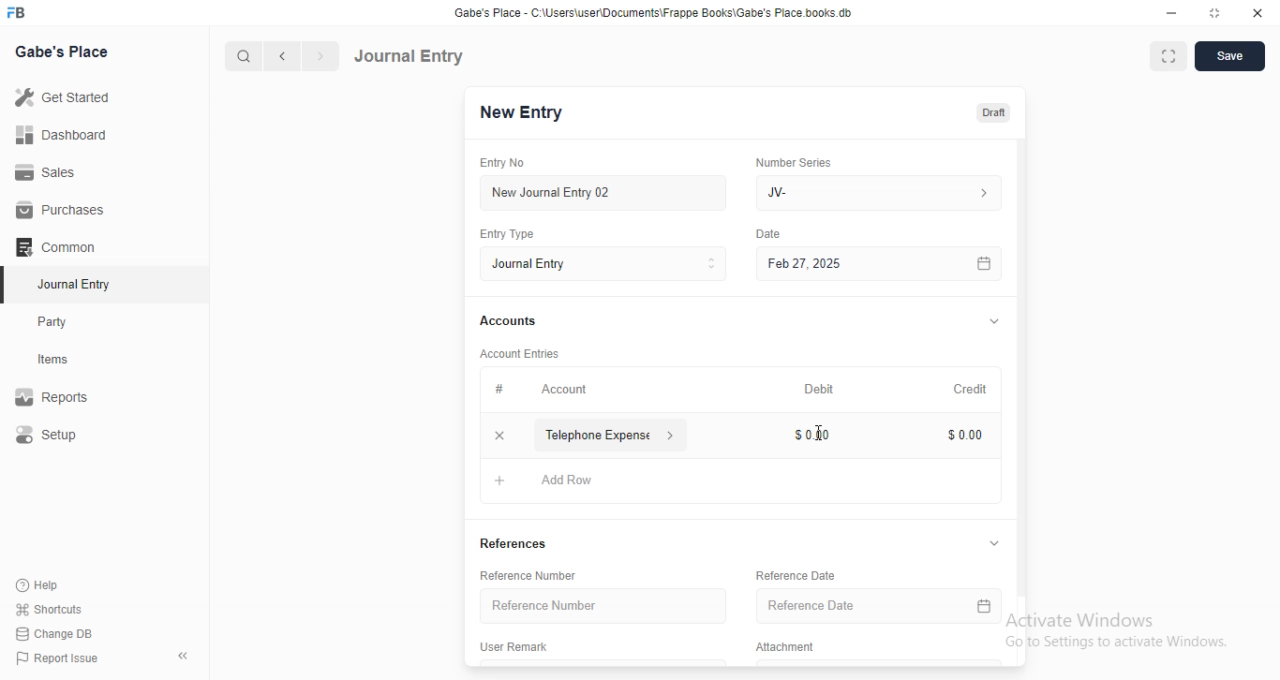 Image resolution: width=1280 pixels, height=680 pixels. What do you see at coordinates (883, 264) in the screenshot?
I see `Feb 27, 2025` at bounding box center [883, 264].